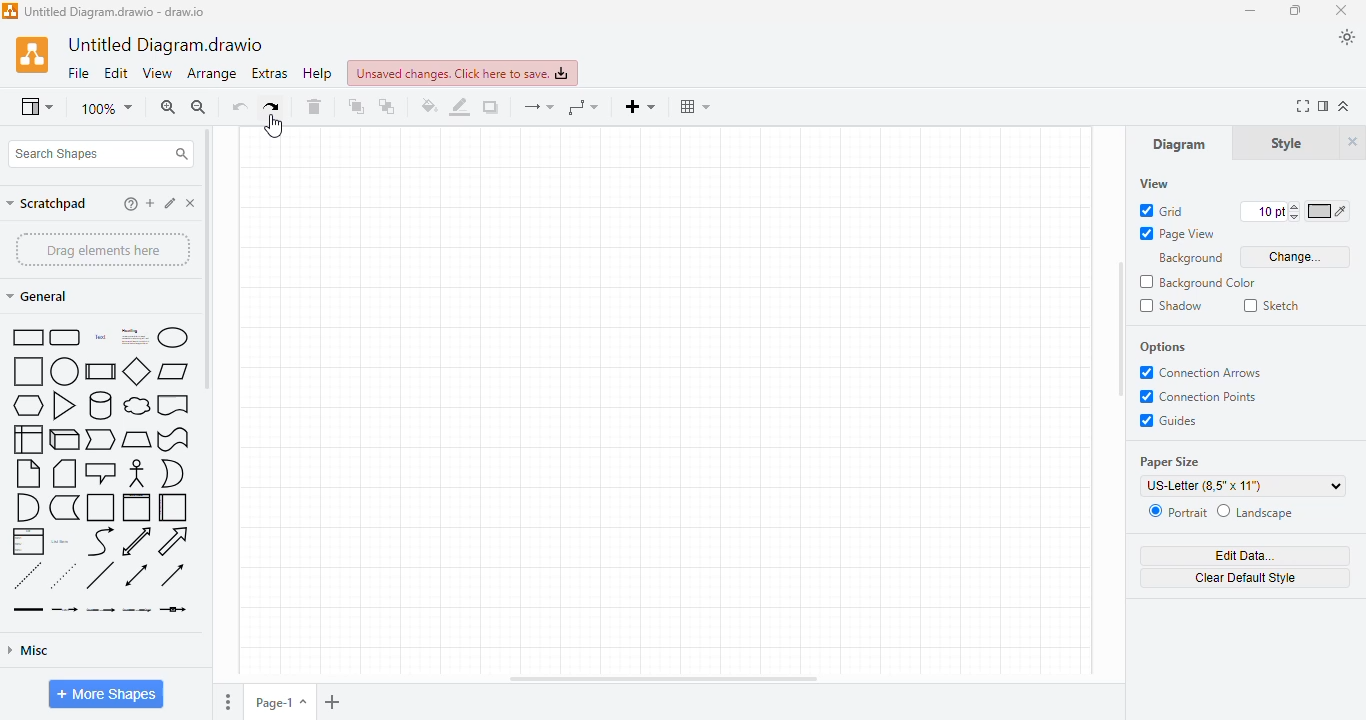 The height and width of the screenshot is (720, 1366). What do you see at coordinates (101, 406) in the screenshot?
I see `cylinder` at bounding box center [101, 406].